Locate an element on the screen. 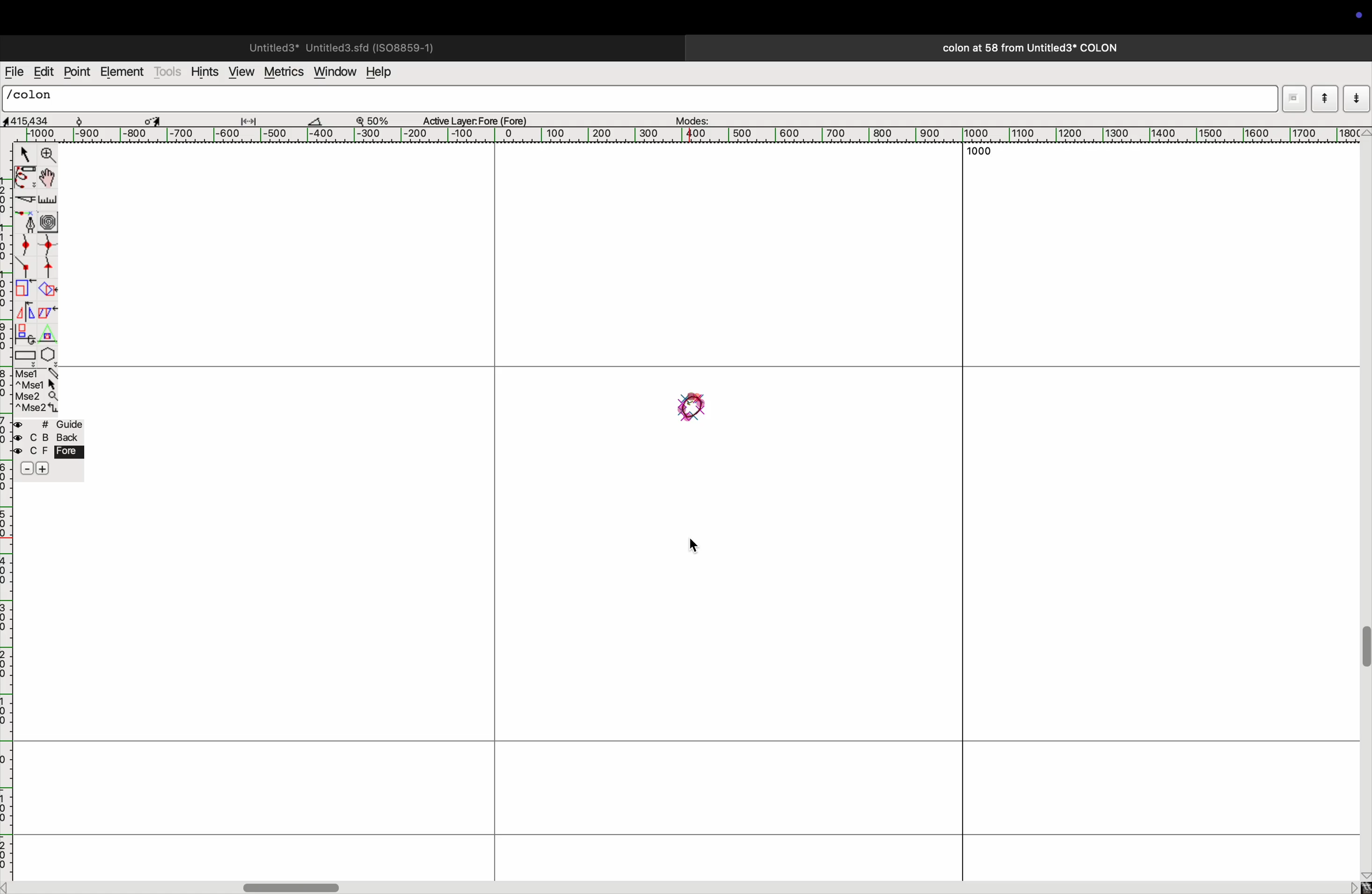  view is located at coordinates (240, 72).